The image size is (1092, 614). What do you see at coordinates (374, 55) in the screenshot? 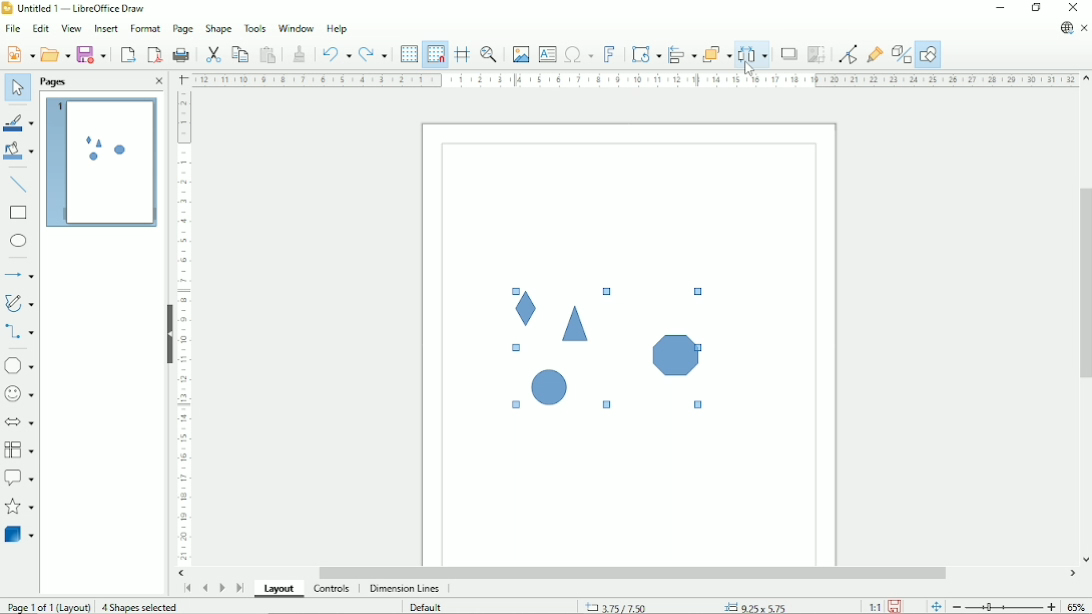
I see `Redo` at bounding box center [374, 55].